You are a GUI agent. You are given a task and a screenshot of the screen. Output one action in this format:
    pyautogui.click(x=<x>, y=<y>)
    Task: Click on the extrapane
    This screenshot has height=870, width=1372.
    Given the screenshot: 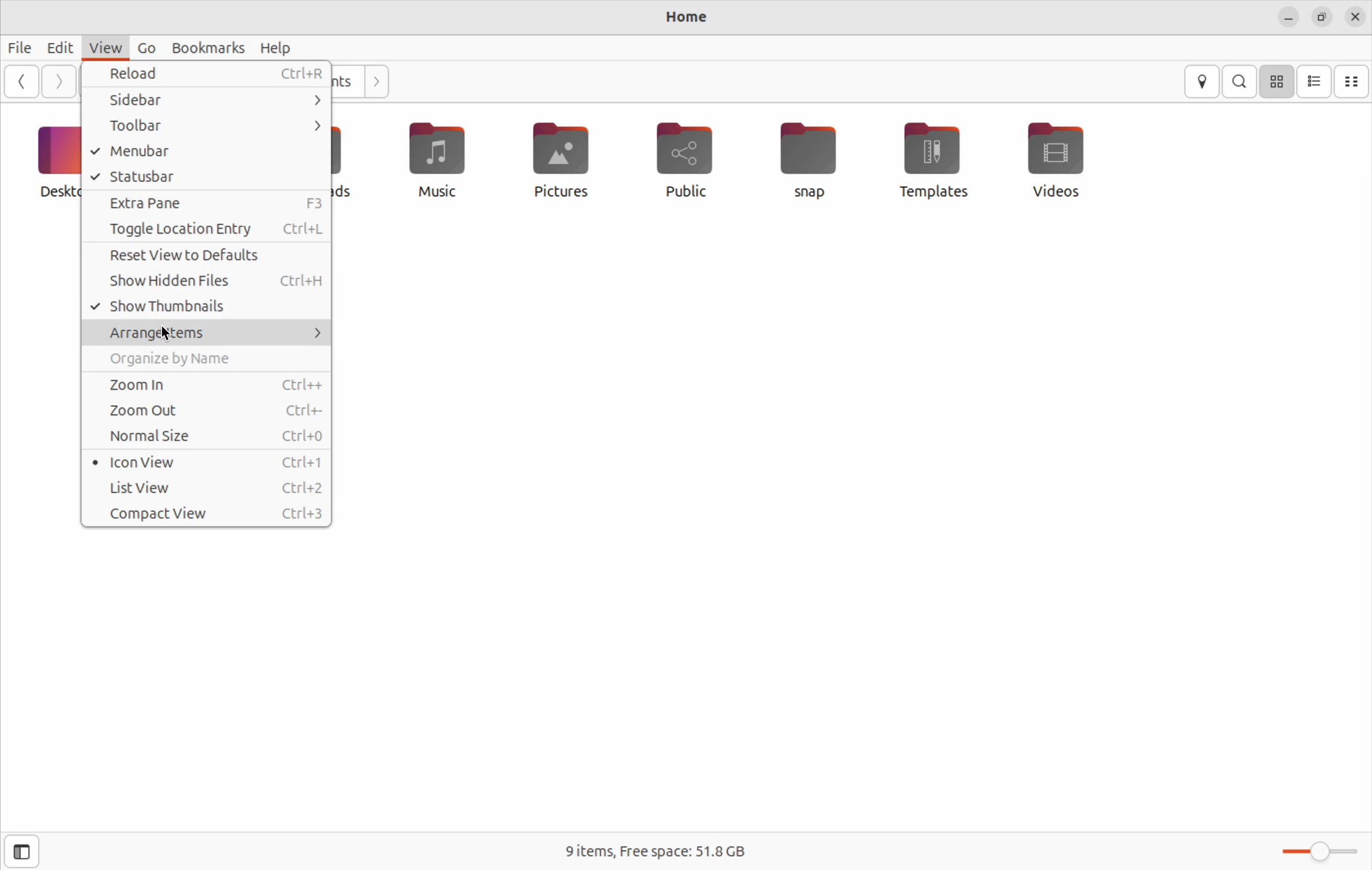 What is the action you would take?
    pyautogui.click(x=210, y=203)
    